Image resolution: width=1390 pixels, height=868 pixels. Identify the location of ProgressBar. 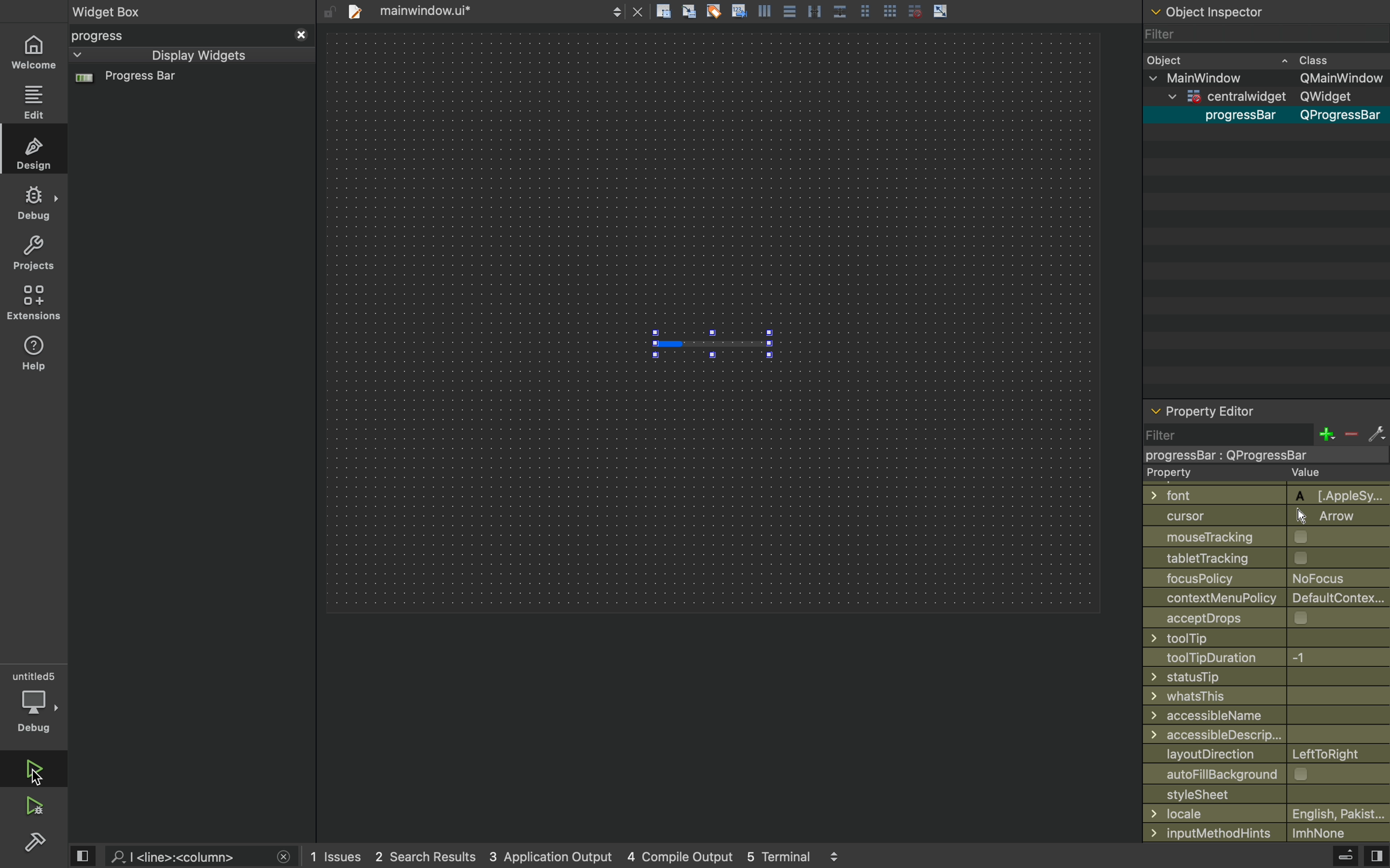
(1235, 116).